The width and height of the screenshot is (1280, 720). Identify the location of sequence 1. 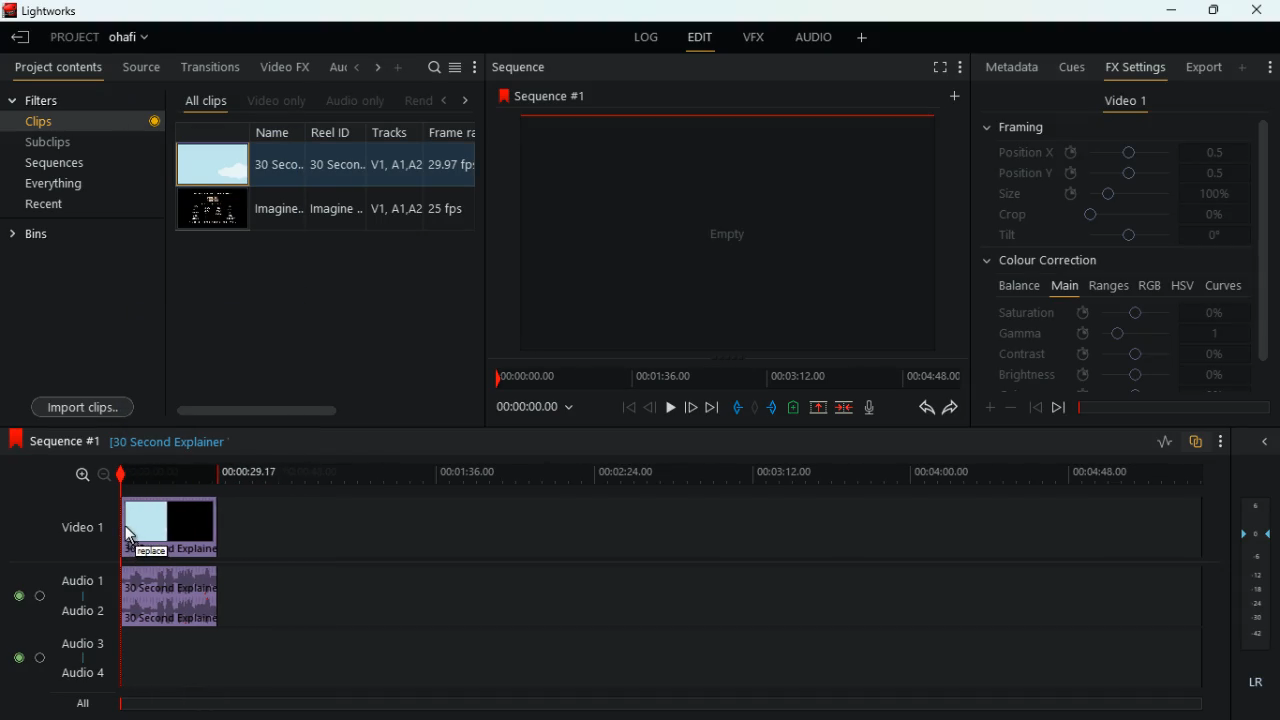
(51, 439).